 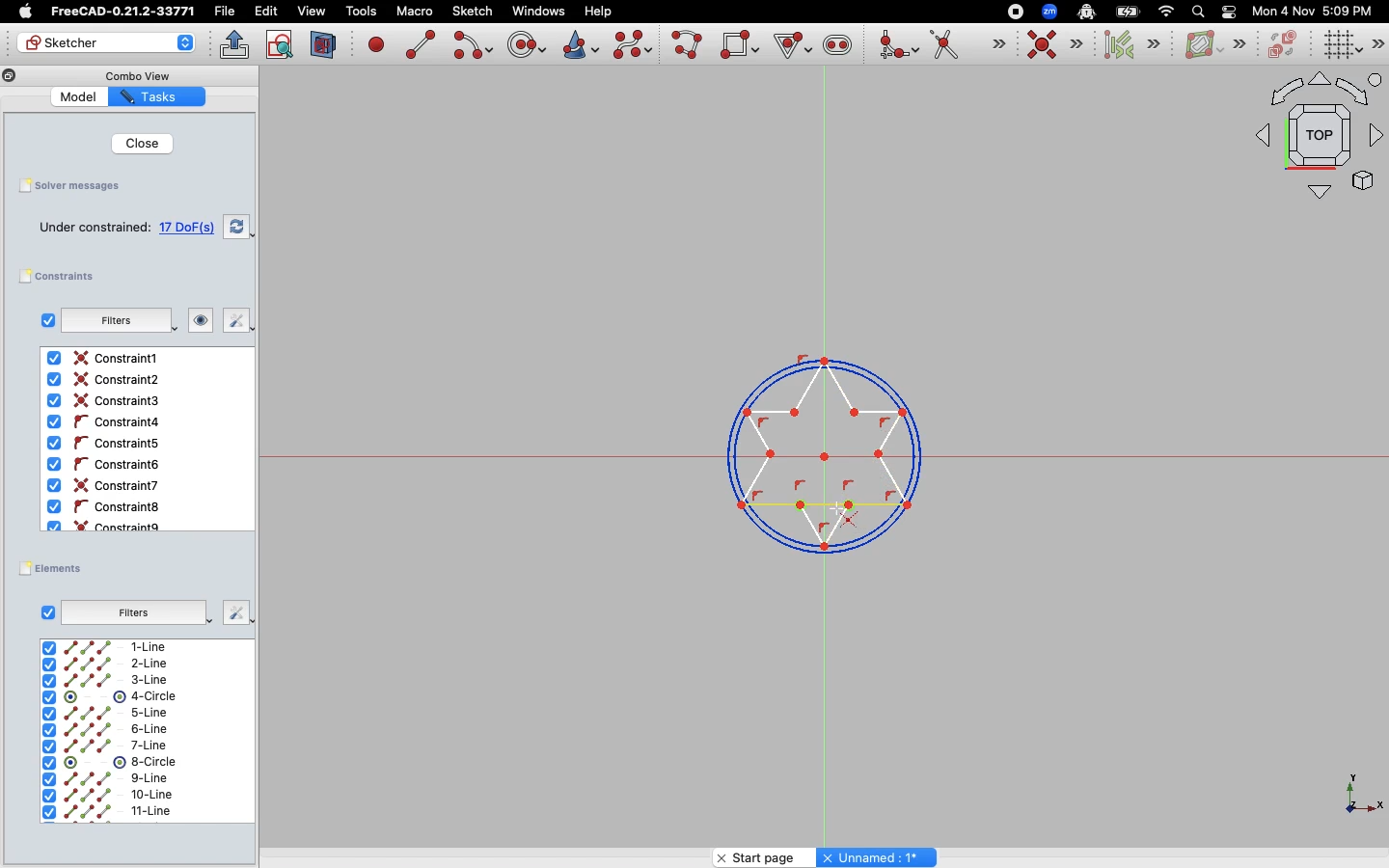 I want to click on Constraint1, so click(x=106, y=359).